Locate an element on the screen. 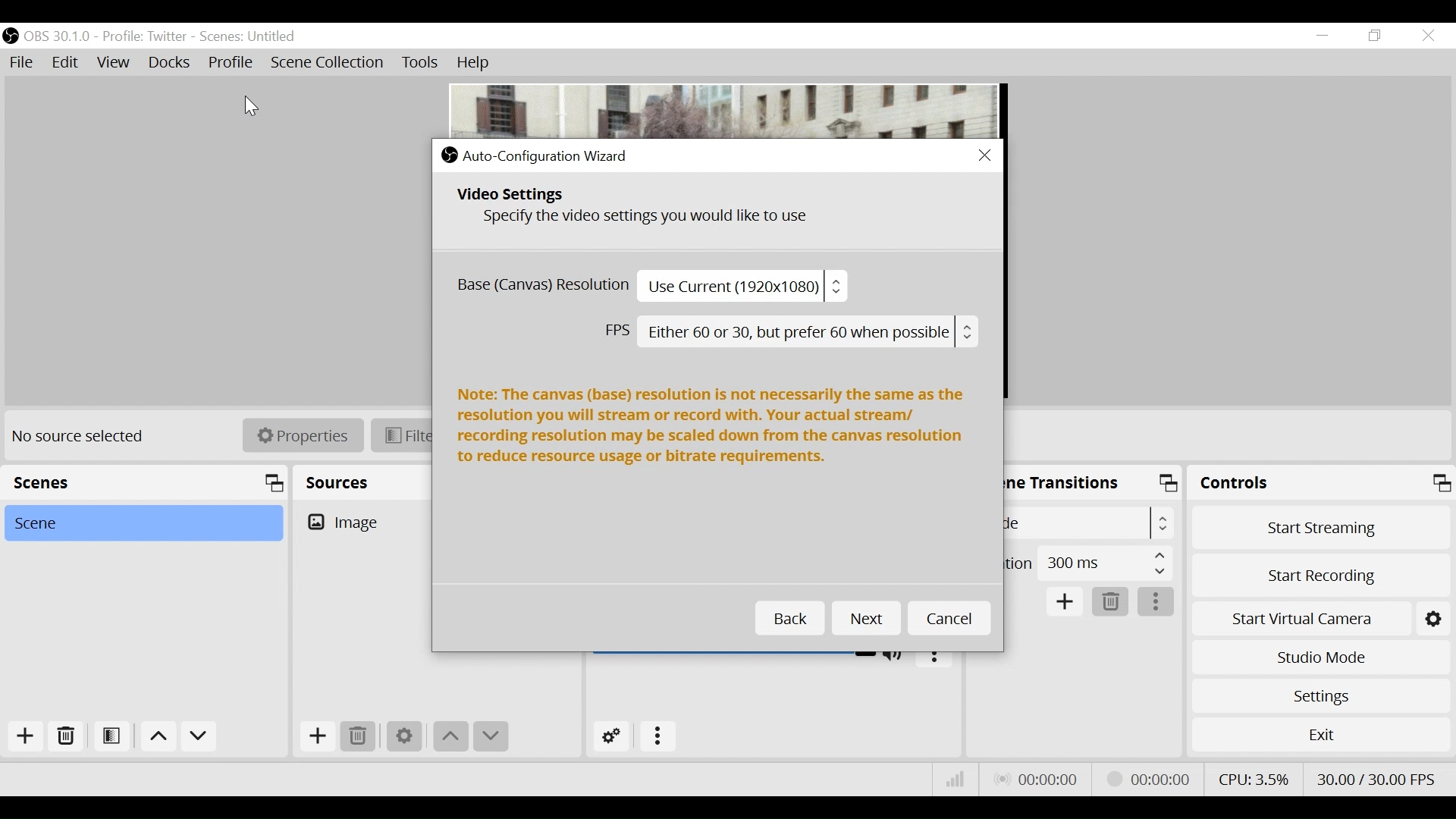 The width and height of the screenshot is (1456, 819). Help is located at coordinates (471, 63).